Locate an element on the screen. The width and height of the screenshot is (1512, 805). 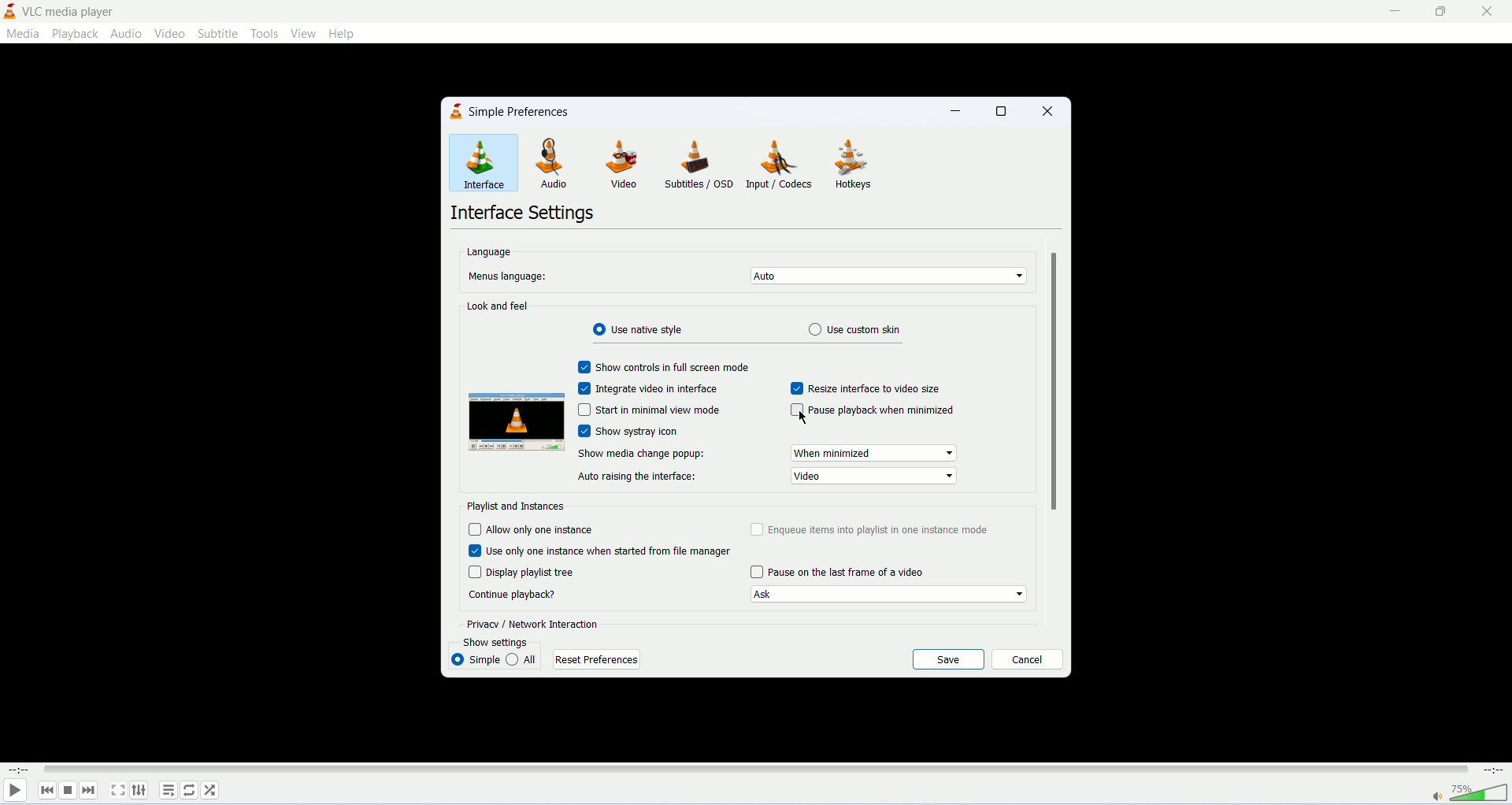
check box is located at coordinates (798, 389).